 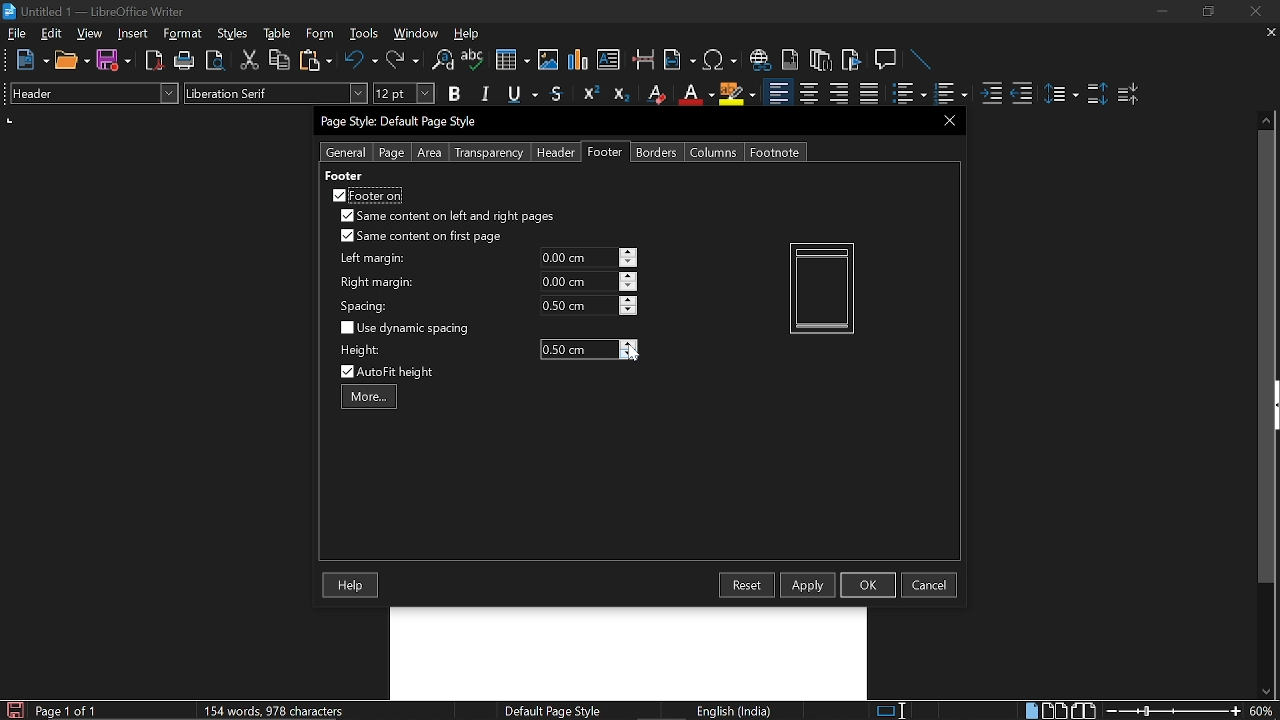 What do you see at coordinates (347, 152) in the screenshot?
I see `General` at bounding box center [347, 152].